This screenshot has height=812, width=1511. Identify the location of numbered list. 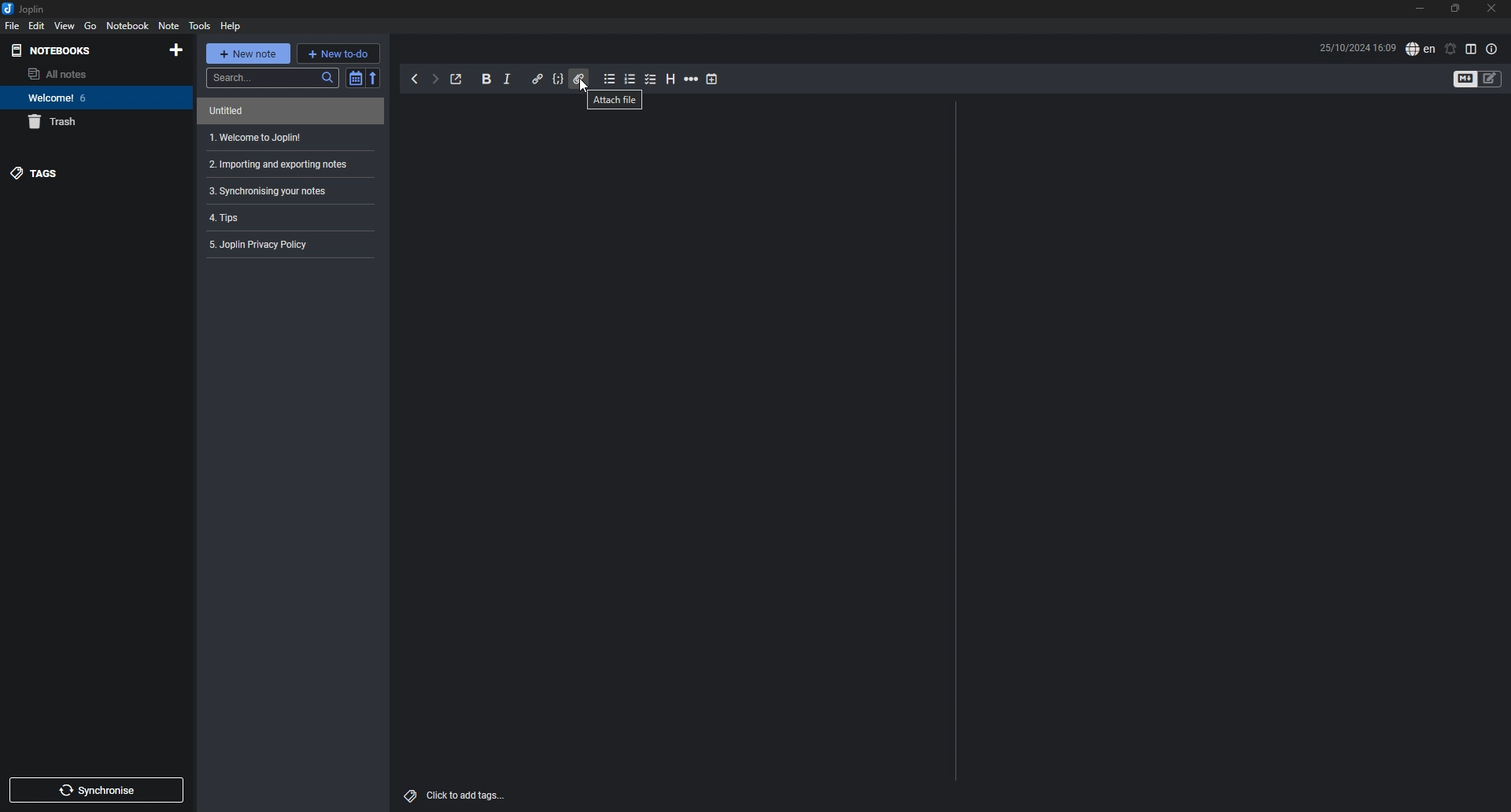
(631, 79).